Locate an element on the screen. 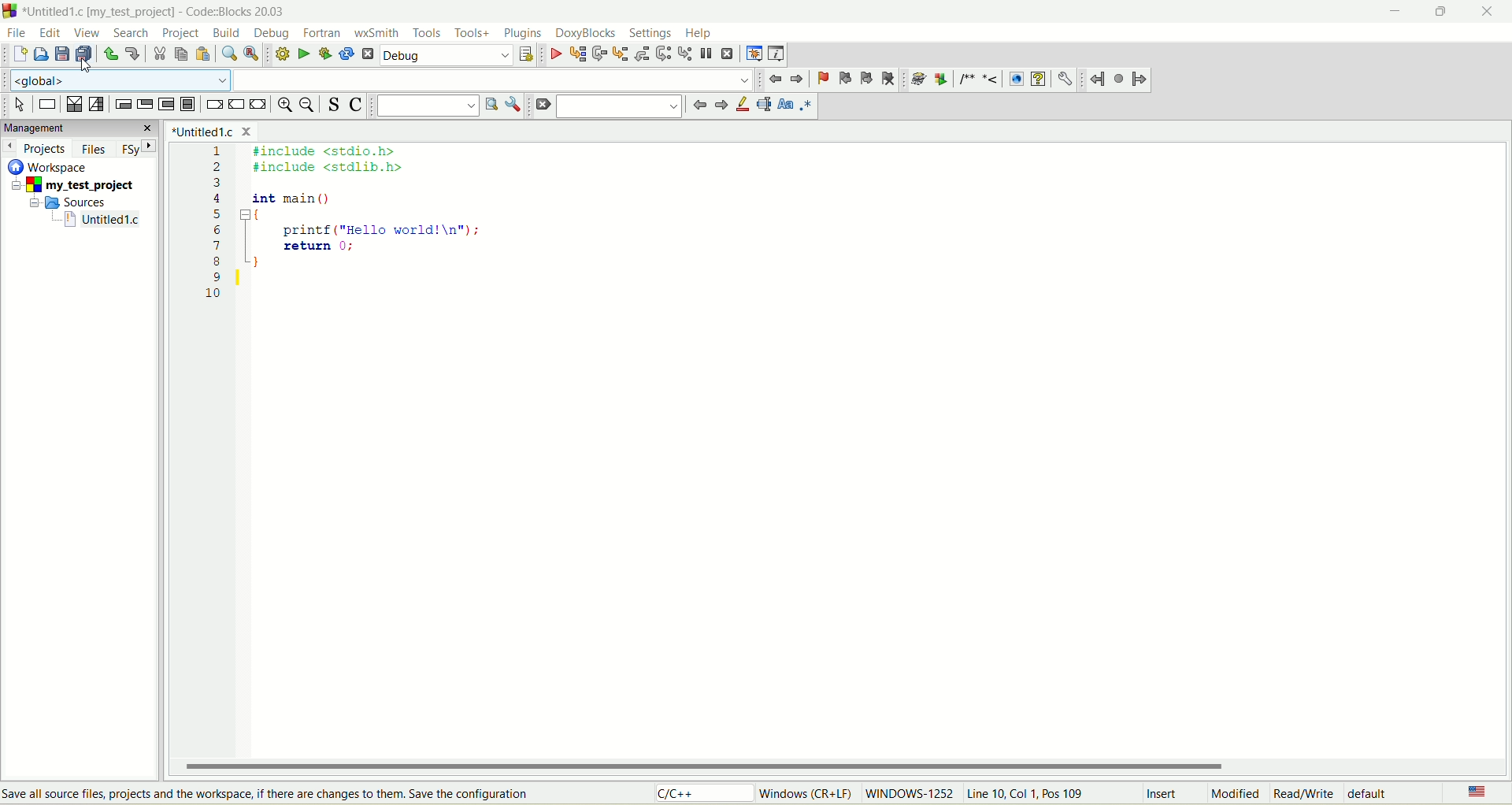 Image resolution: width=1512 pixels, height=805 pixels. step into is located at coordinates (620, 54).